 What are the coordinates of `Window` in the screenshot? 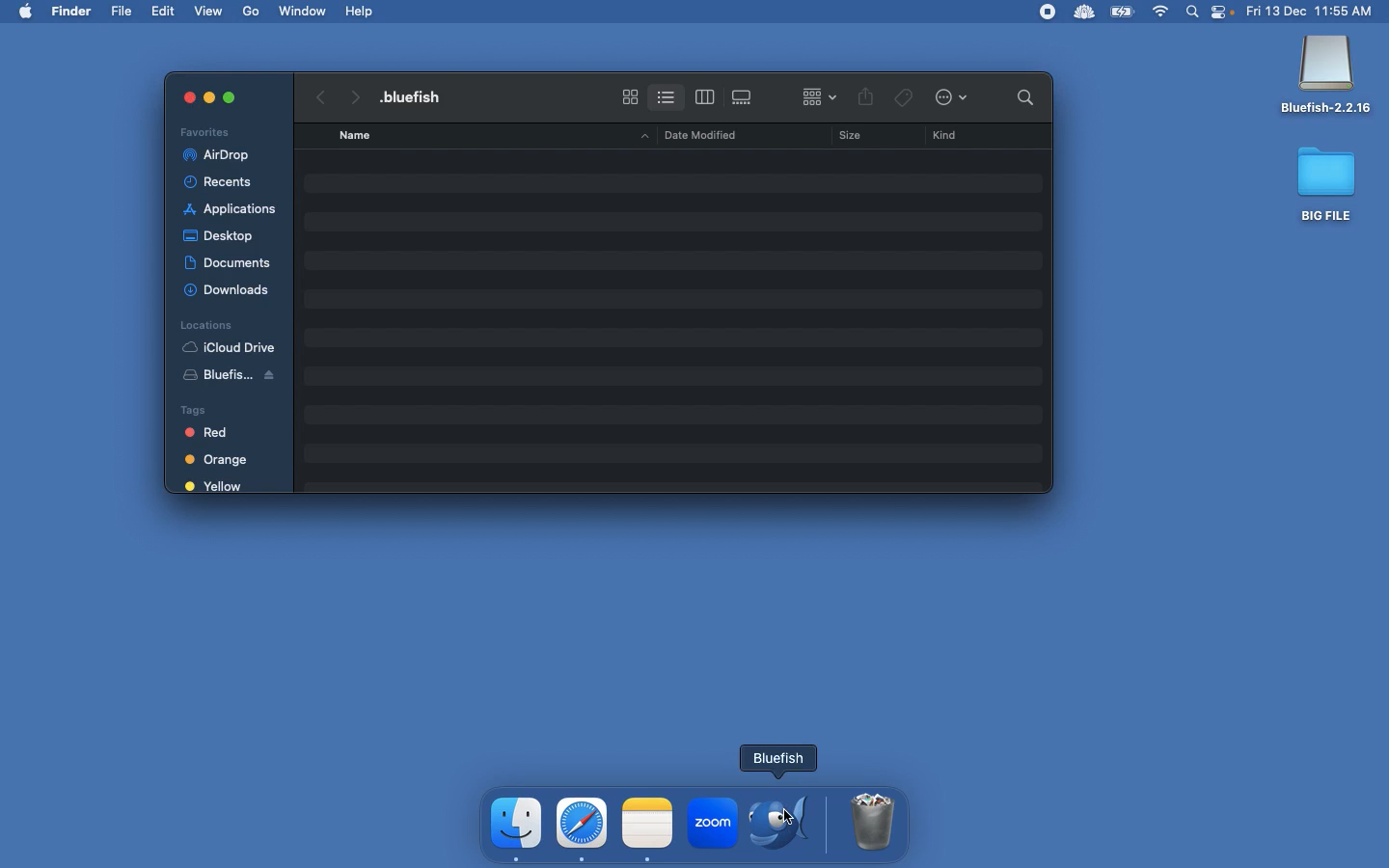 It's located at (304, 11).